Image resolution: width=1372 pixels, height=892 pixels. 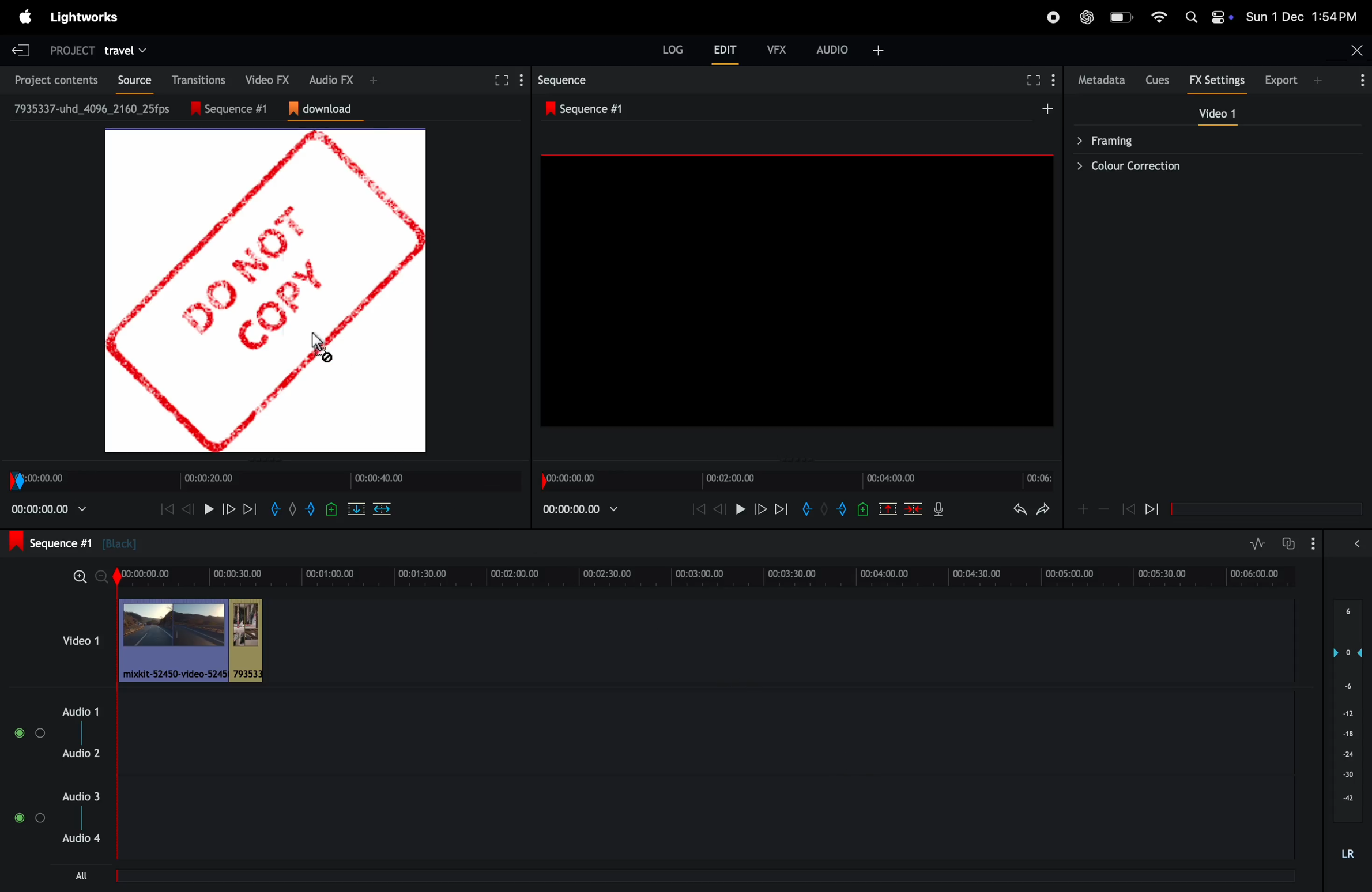 What do you see at coordinates (1043, 509) in the screenshot?
I see `redo` at bounding box center [1043, 509].